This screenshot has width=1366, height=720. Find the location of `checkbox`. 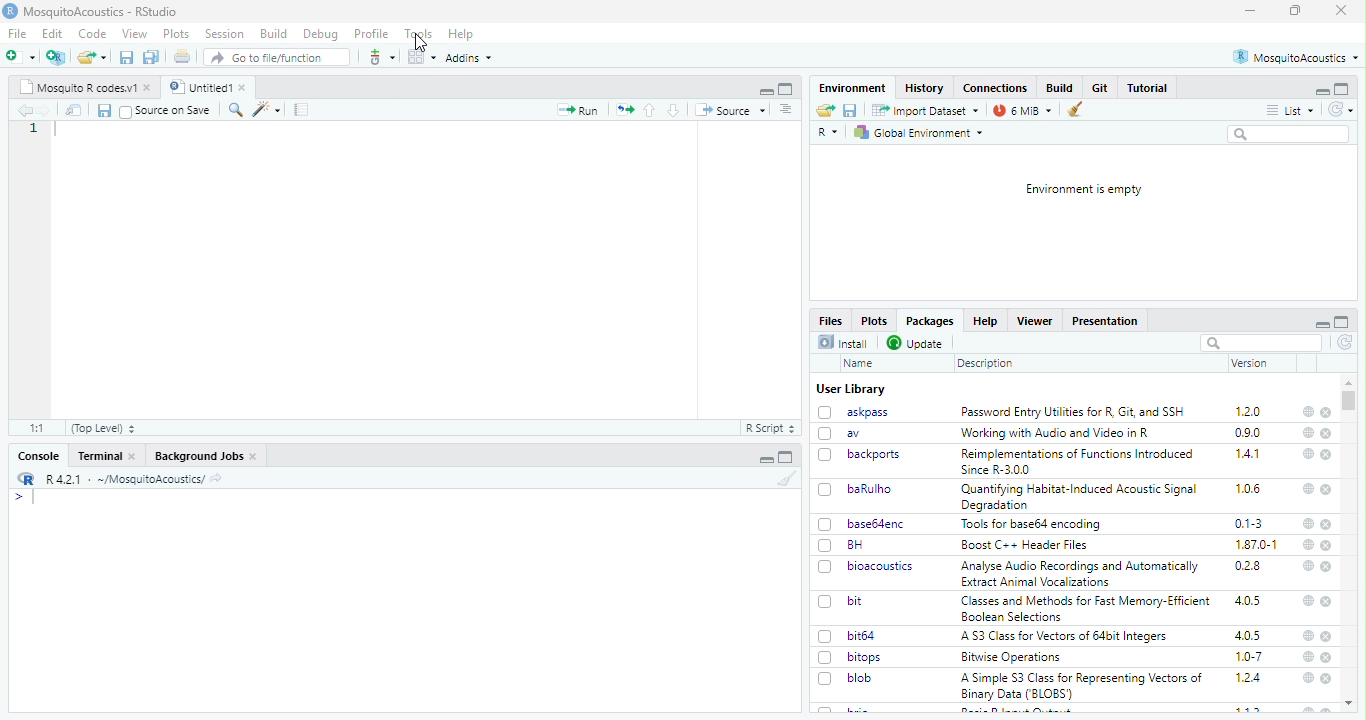

checkbox is located at coordinates (826, 568).